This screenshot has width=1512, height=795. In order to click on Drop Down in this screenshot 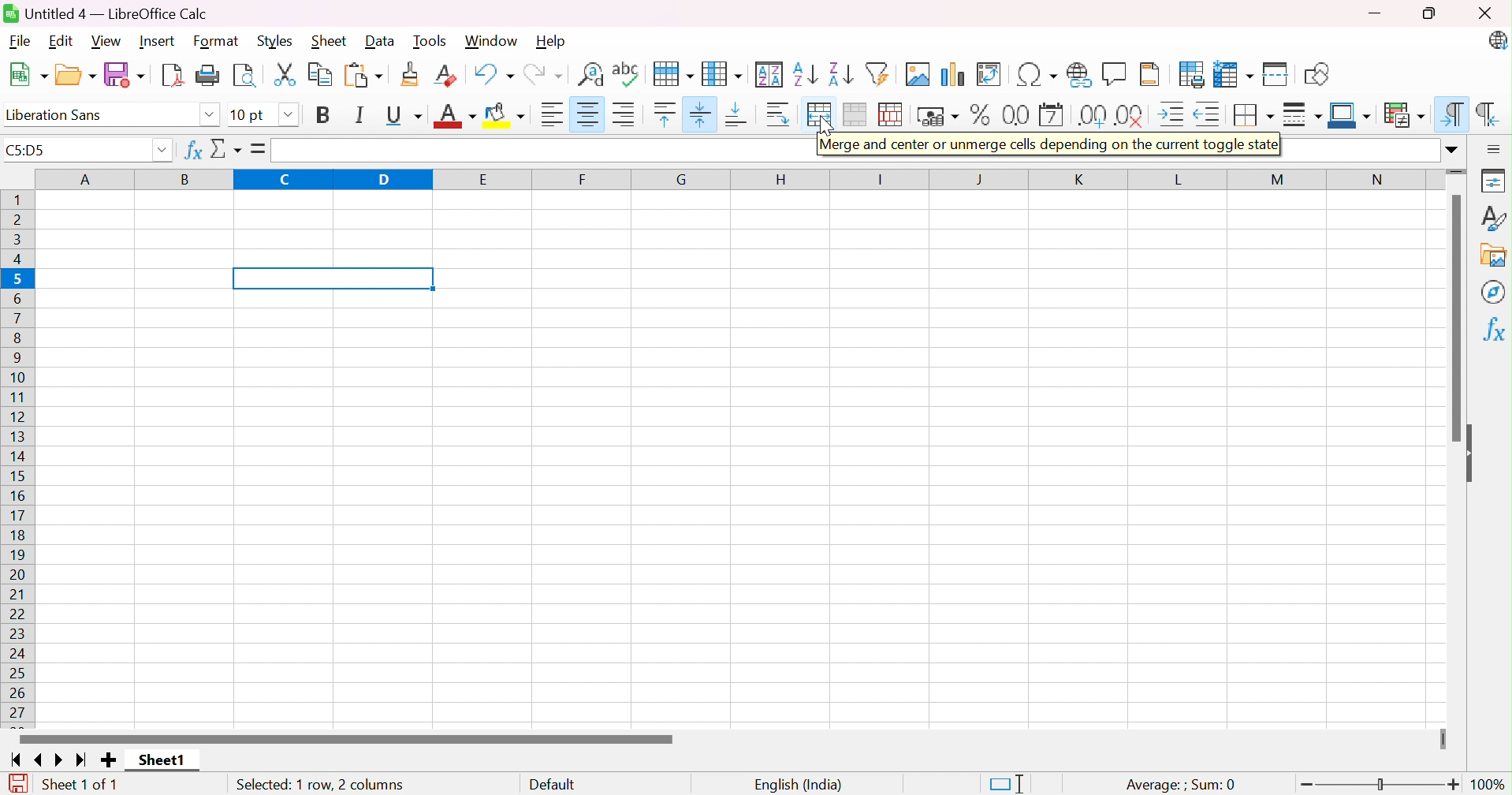, I will do `click(208, 114)`.